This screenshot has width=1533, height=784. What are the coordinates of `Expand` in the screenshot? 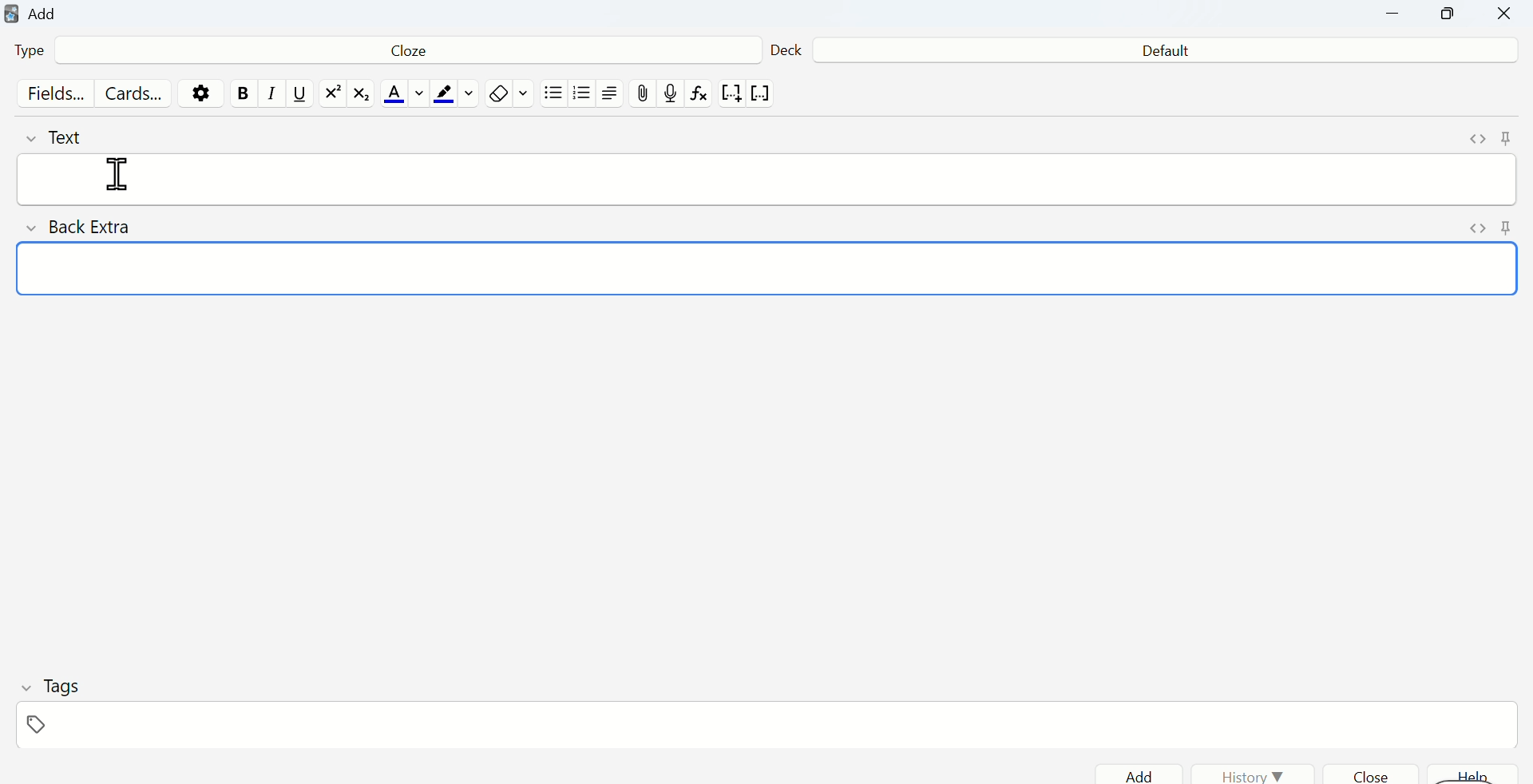 It's located at (1465, 227).